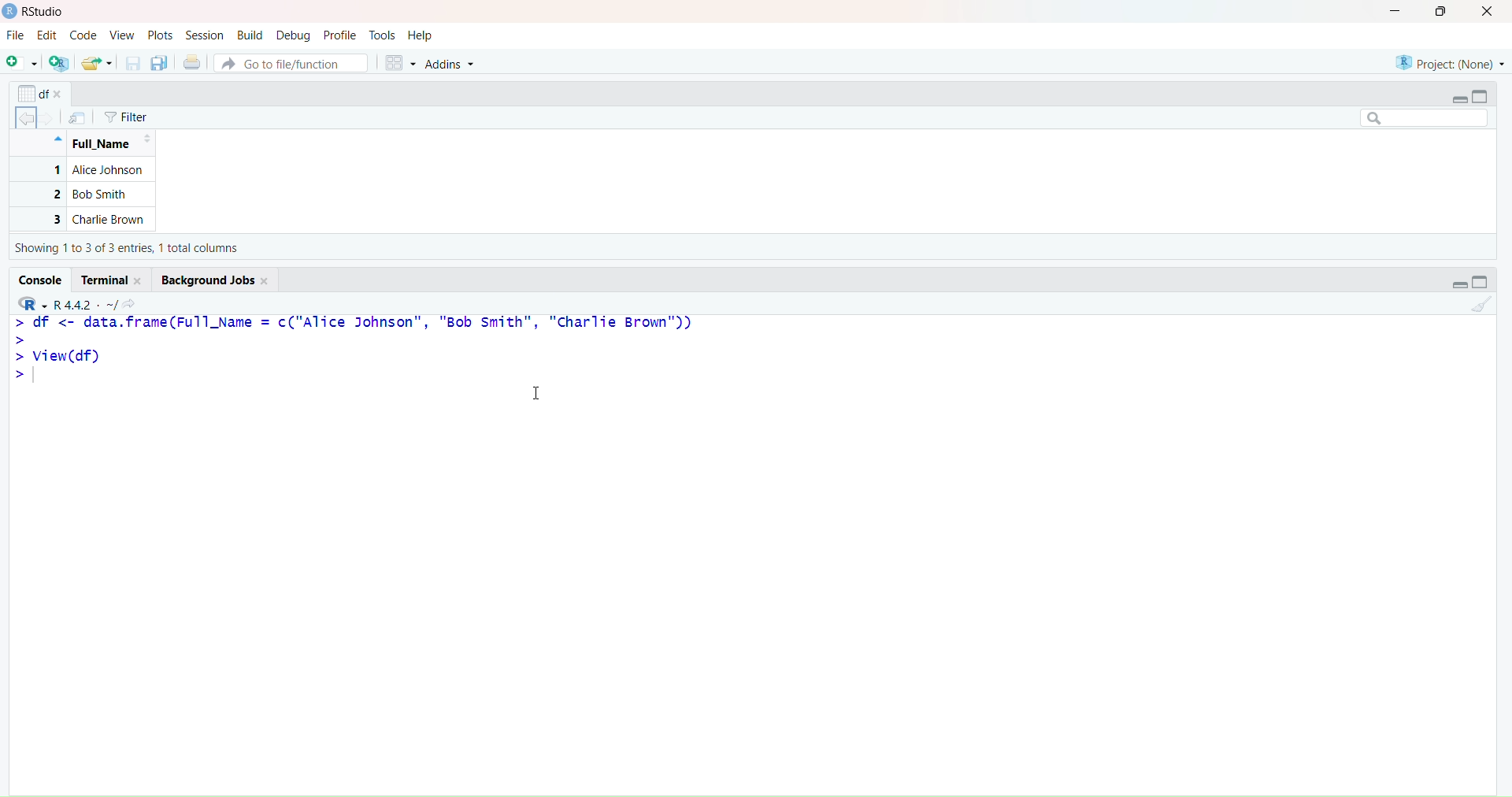  Describe the element at coordinates (40, 91) in the screenshot. I see `df` at that location.